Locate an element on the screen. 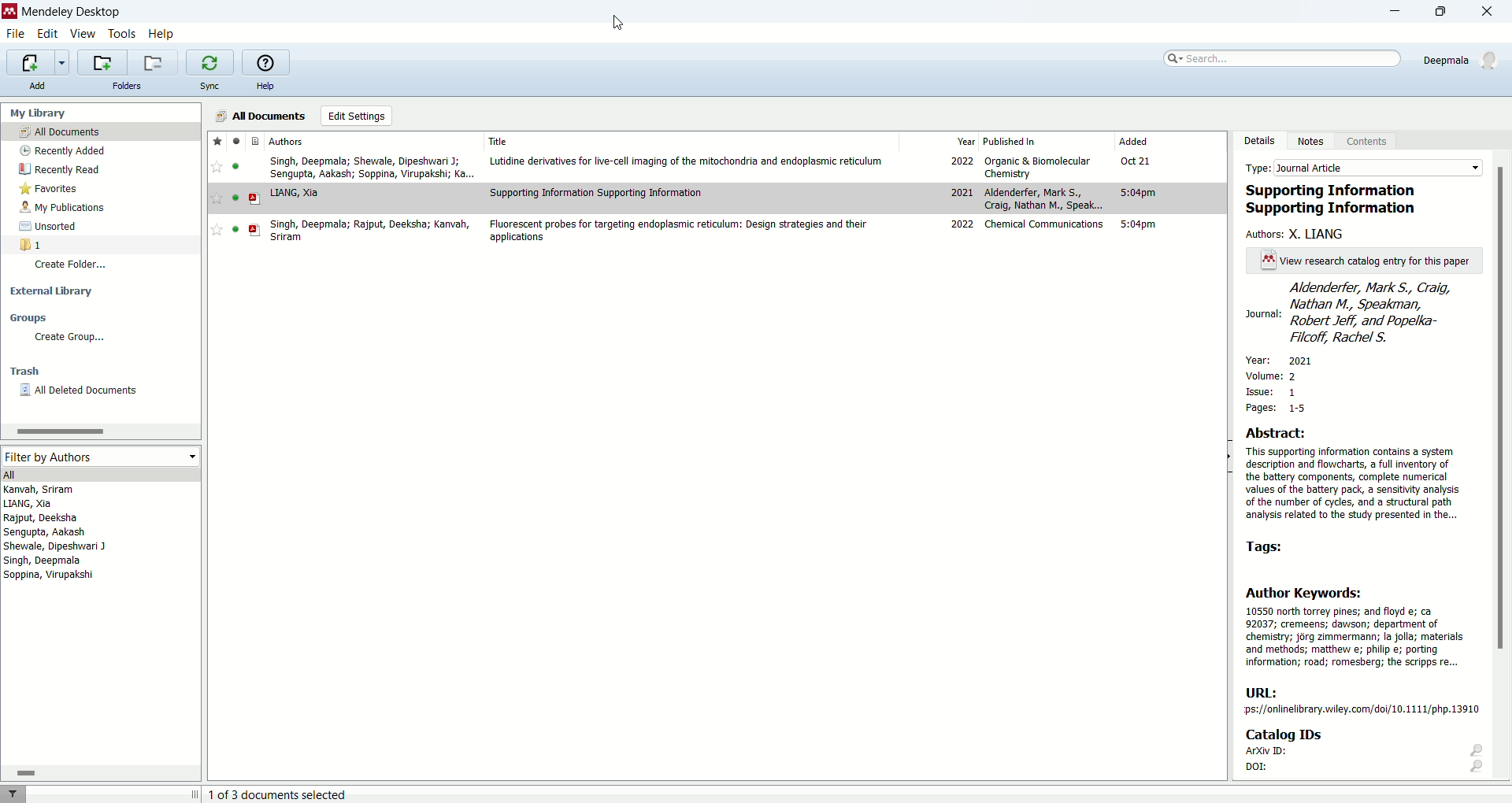  vertical scroll bar is located at coordinates (1503, 469).